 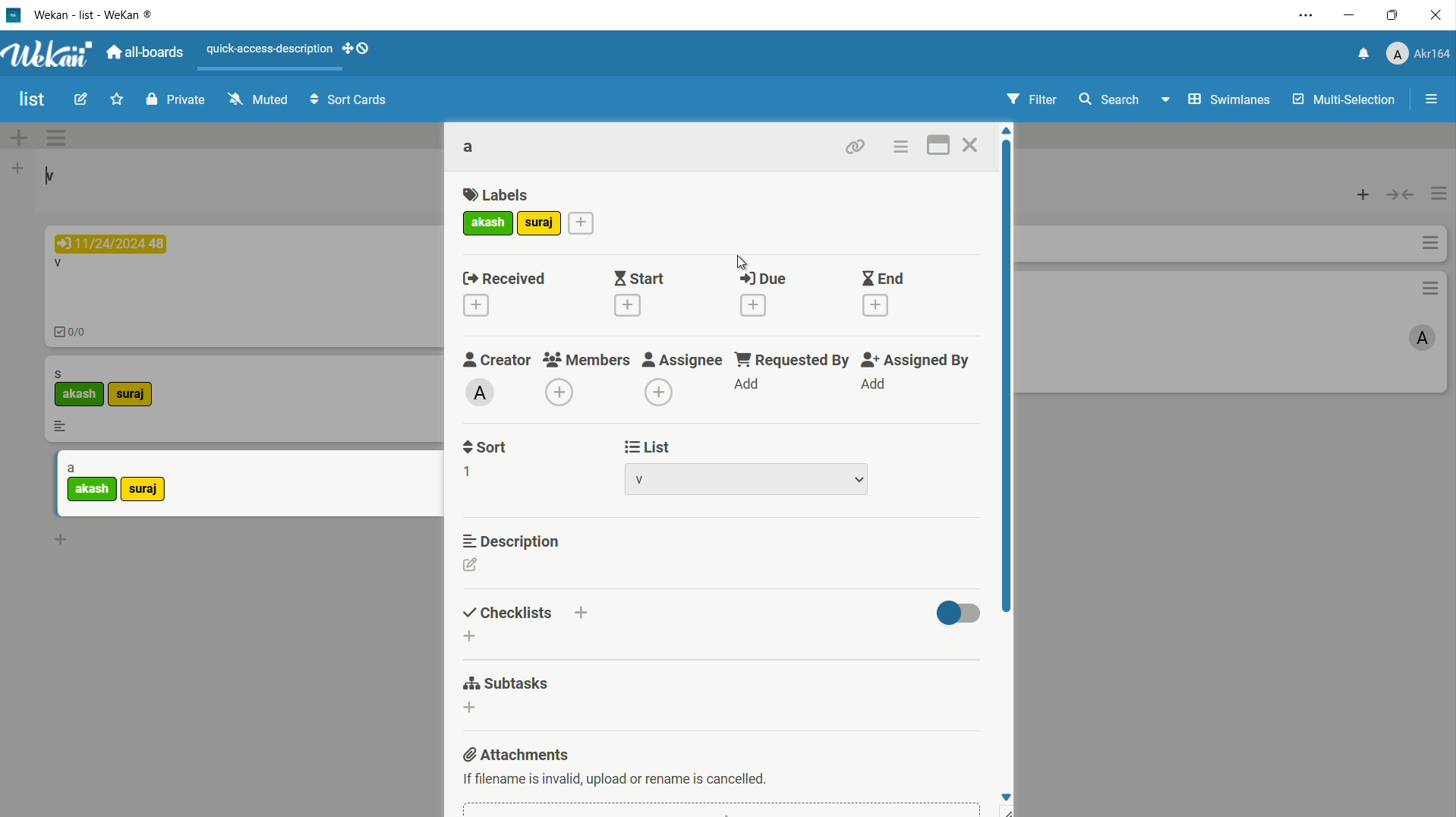 I want to click on muted, so click(x=257, y=99).